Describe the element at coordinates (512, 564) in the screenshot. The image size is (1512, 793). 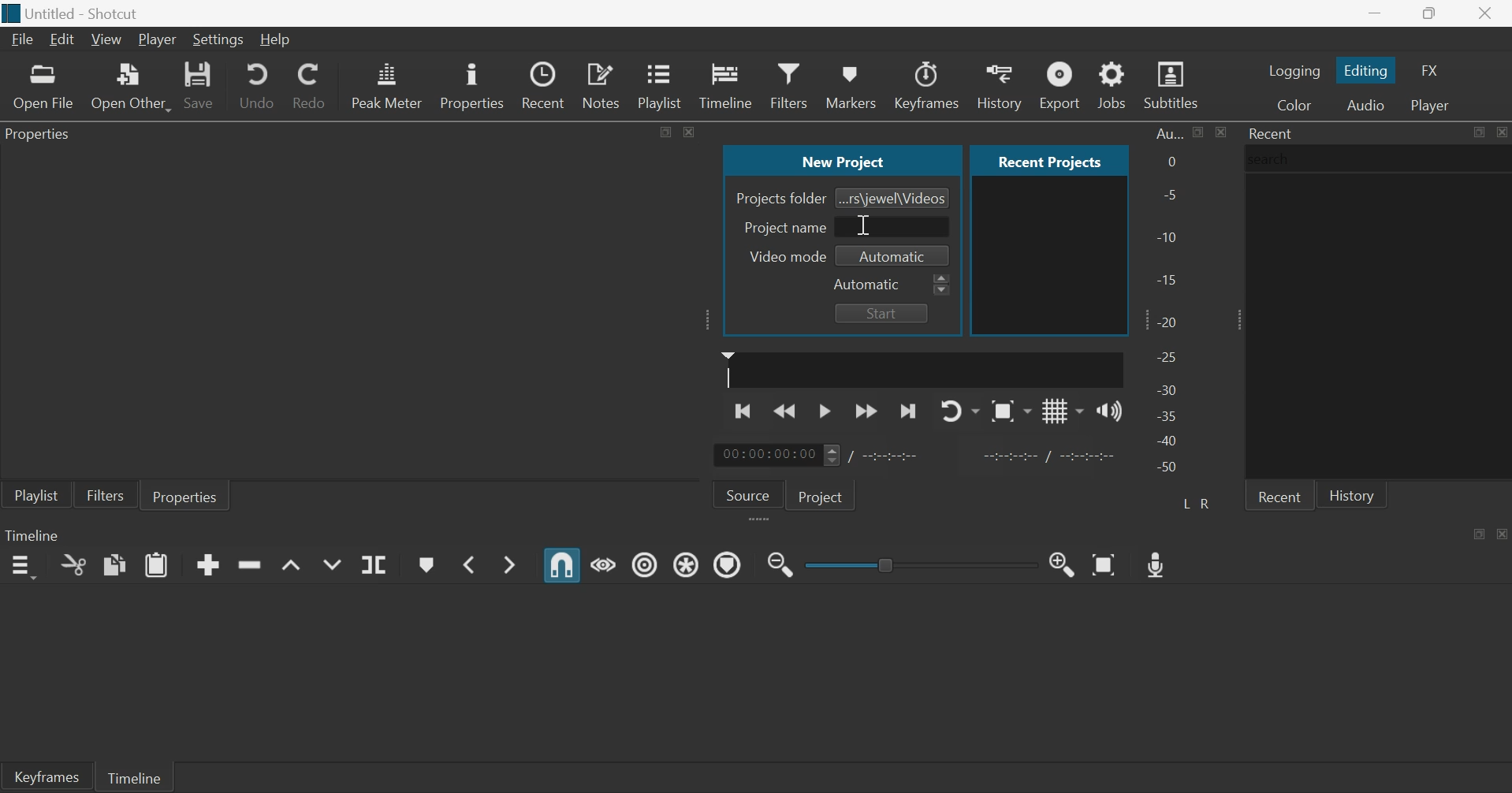
I see `Next marker` at that location.